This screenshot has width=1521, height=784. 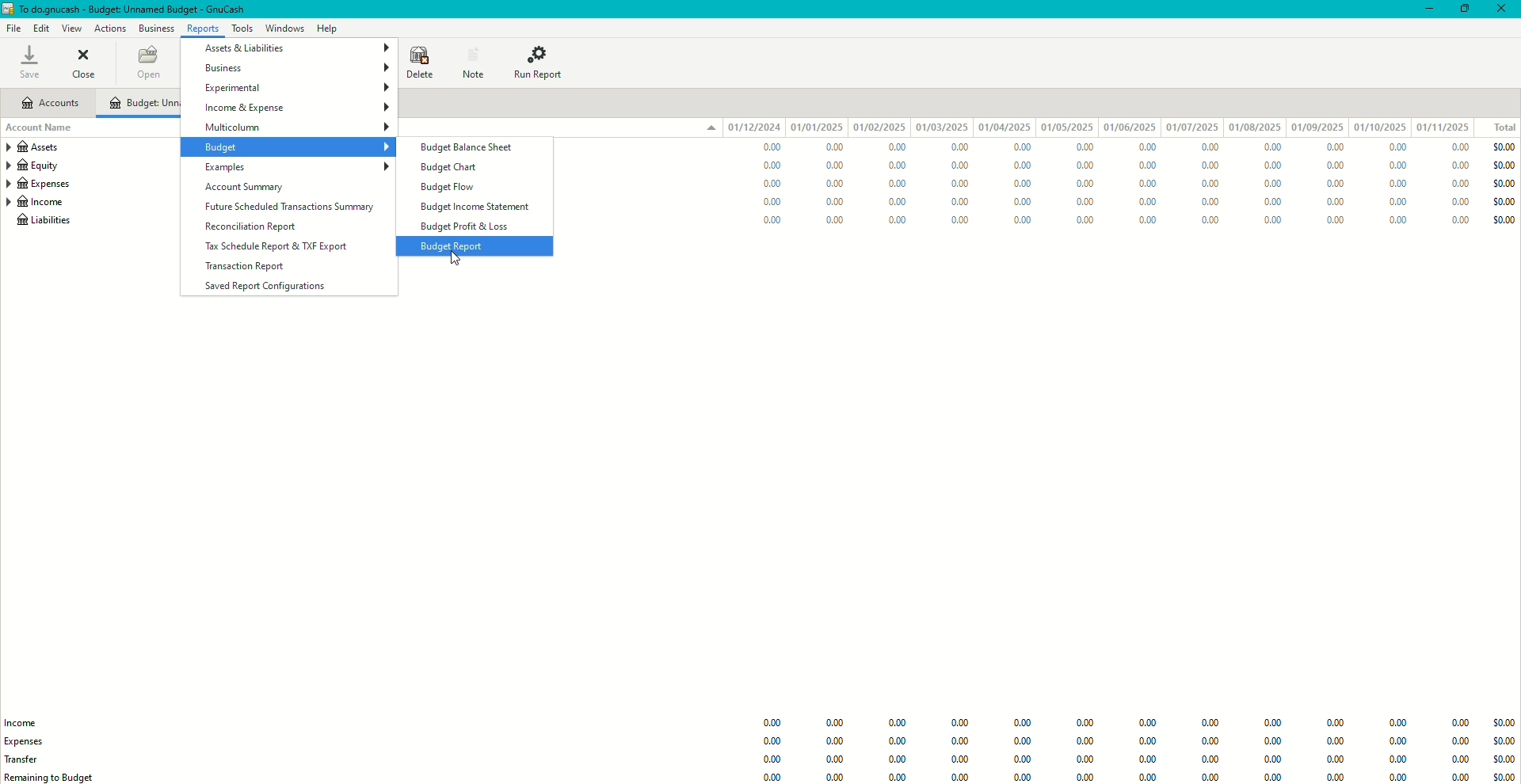 I want to click on 0.00, so click(x=897, y=740).